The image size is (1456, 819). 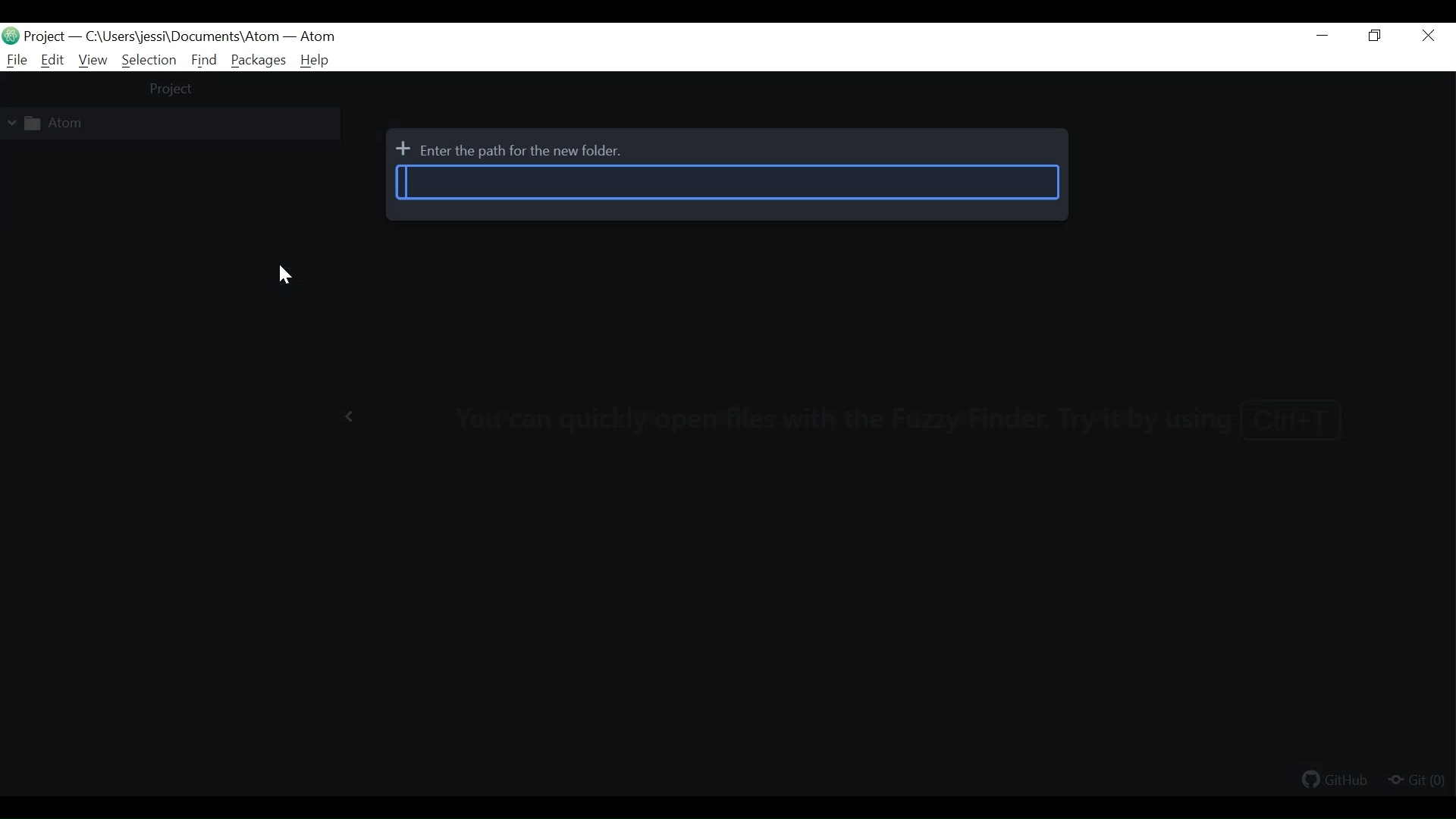 What do you see at coordinates (727, 183) in the screenshot?
I see `Enter the path for the new folder` at bounding box center [727, 183].